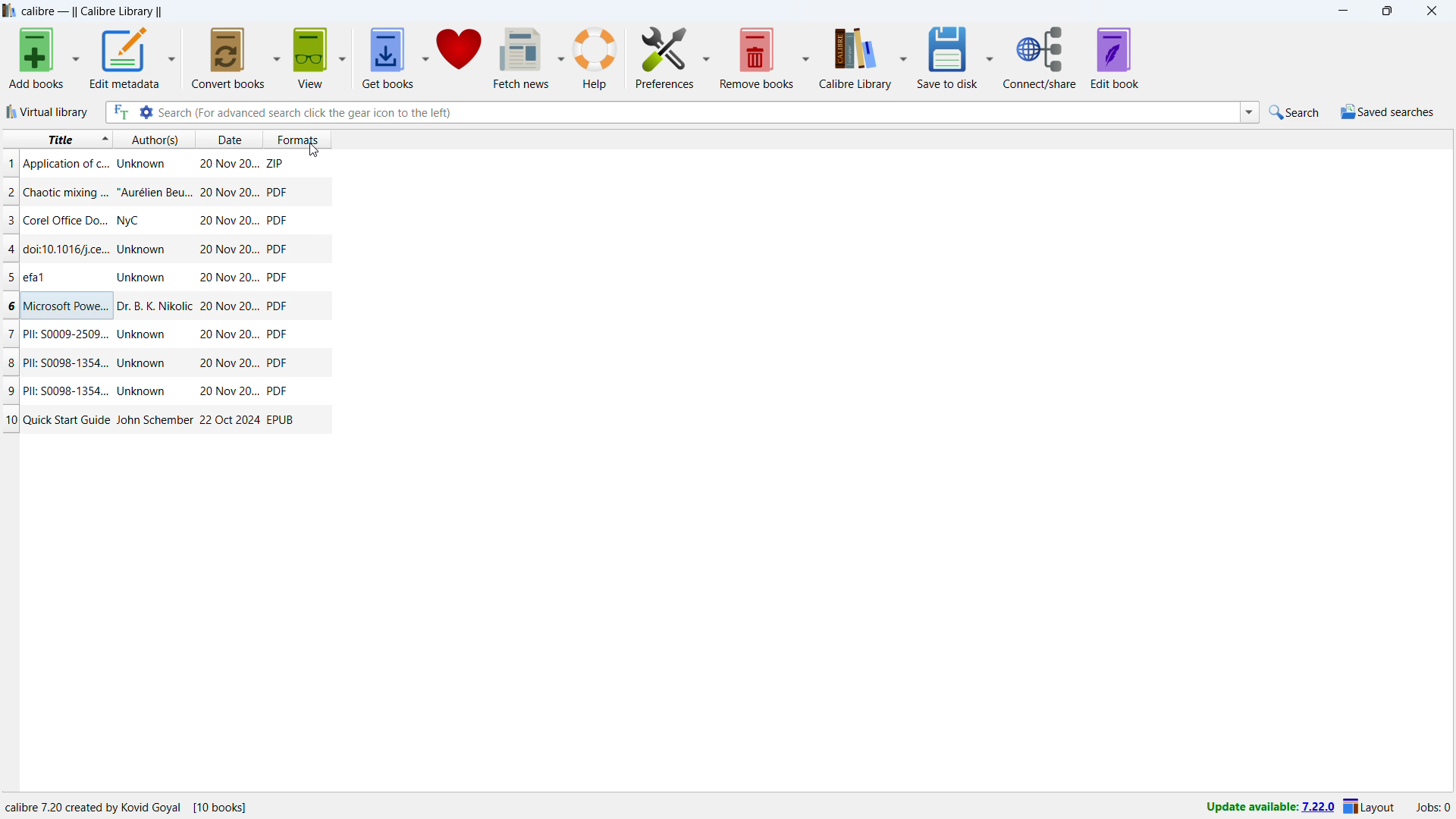 The width and height of the screenshot is (1456, 819). I want to click on date, so click(227, 139).